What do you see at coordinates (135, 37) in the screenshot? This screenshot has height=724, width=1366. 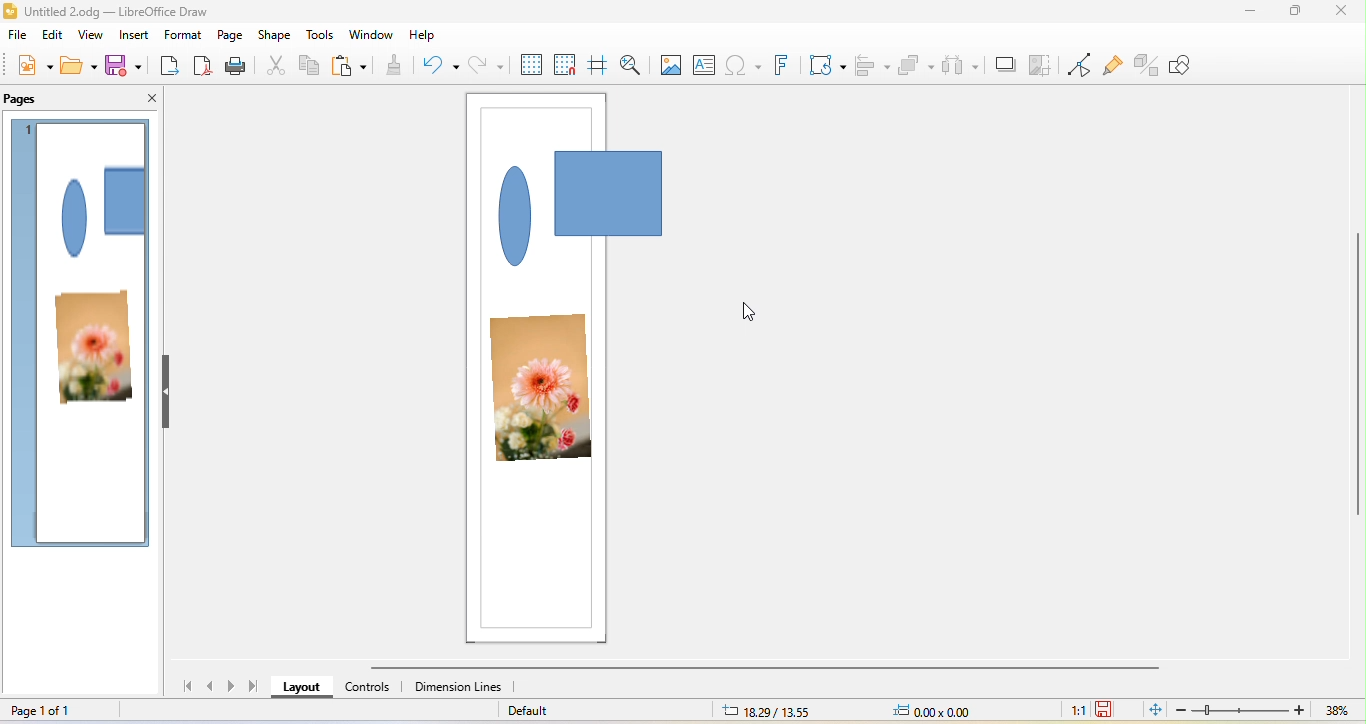 I see `insert` at bounding box center [135, 37].